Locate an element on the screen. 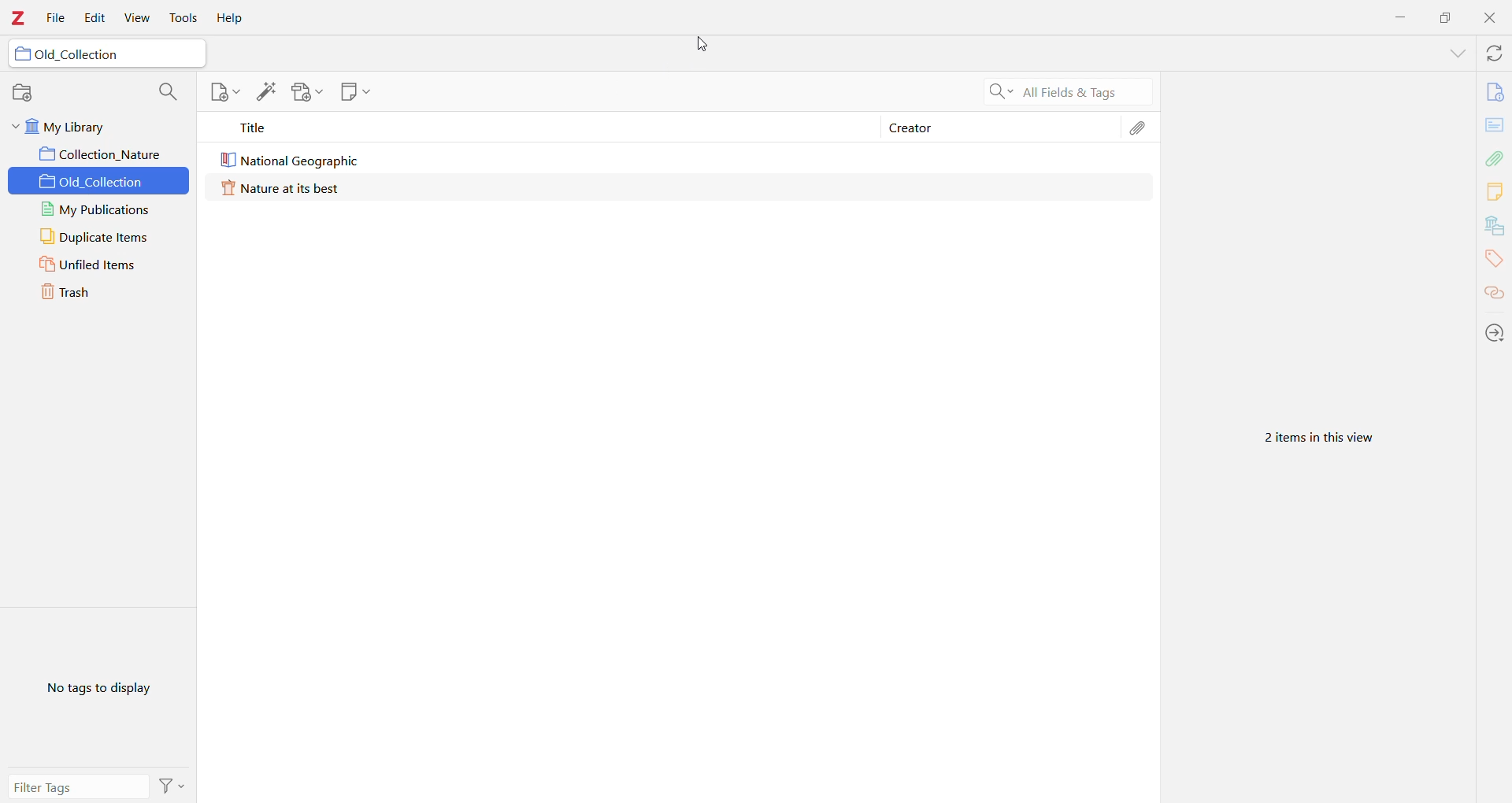 This screenshot has height=803, width=1512. My Library is located at coordinates (98, 124).